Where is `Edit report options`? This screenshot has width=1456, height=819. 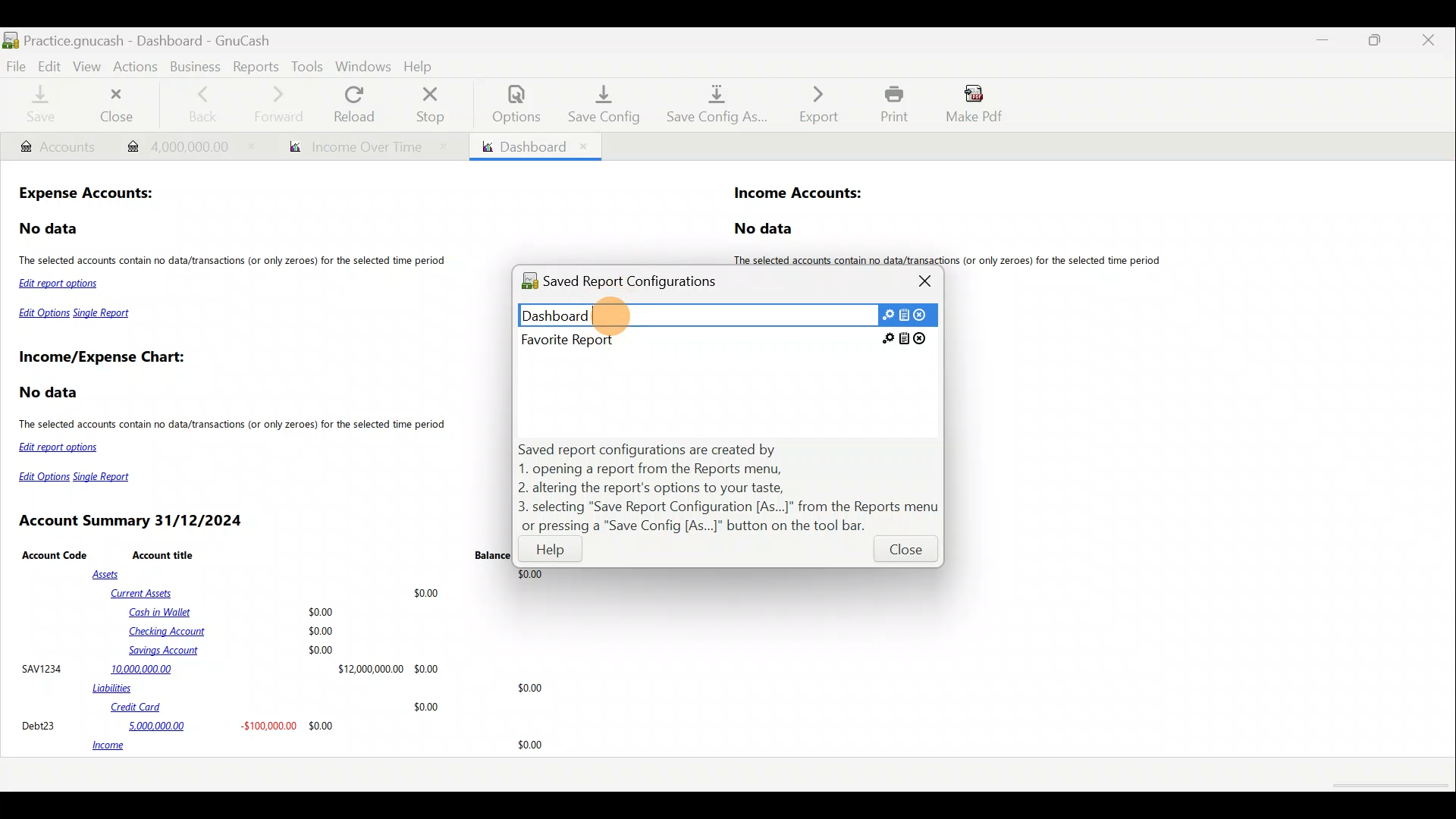
Edit report options is located at coordinates (62, 285).